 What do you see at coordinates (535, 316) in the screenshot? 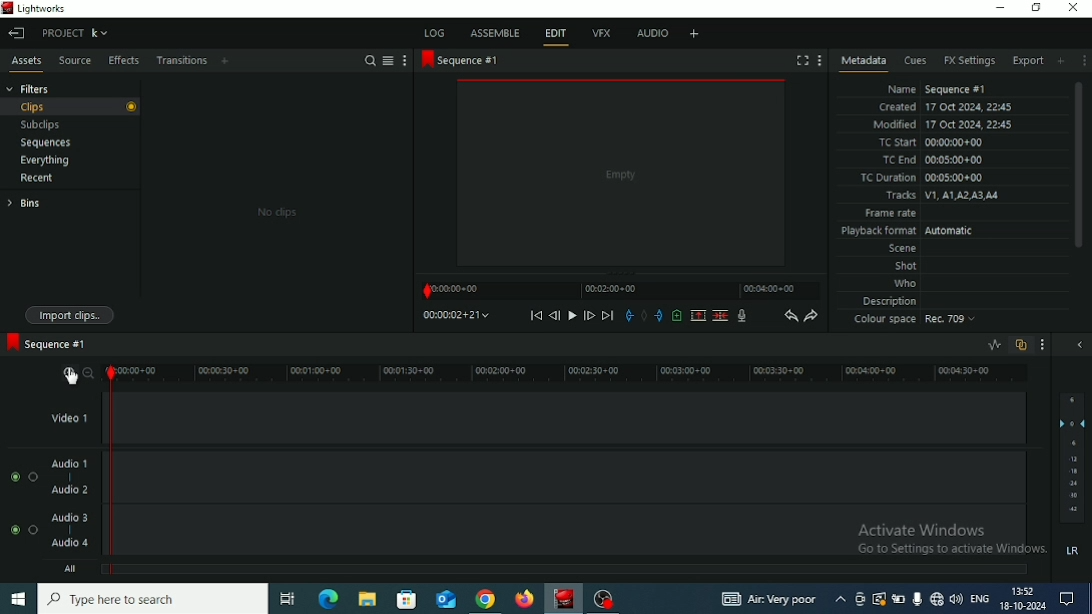
I see `Move backward` at bounding box center [535, 316].